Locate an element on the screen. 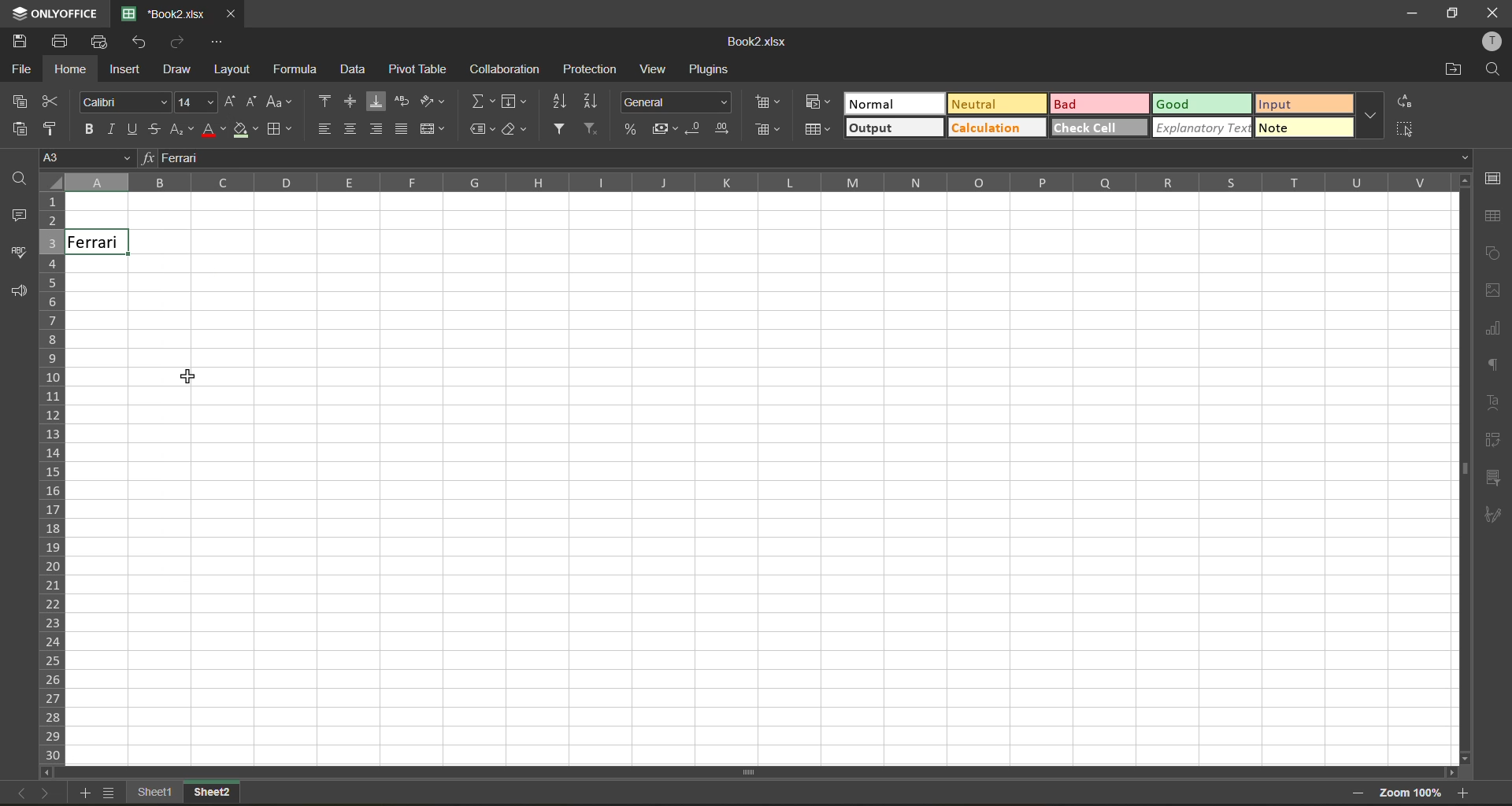  data is located at coordinates (354, 68).